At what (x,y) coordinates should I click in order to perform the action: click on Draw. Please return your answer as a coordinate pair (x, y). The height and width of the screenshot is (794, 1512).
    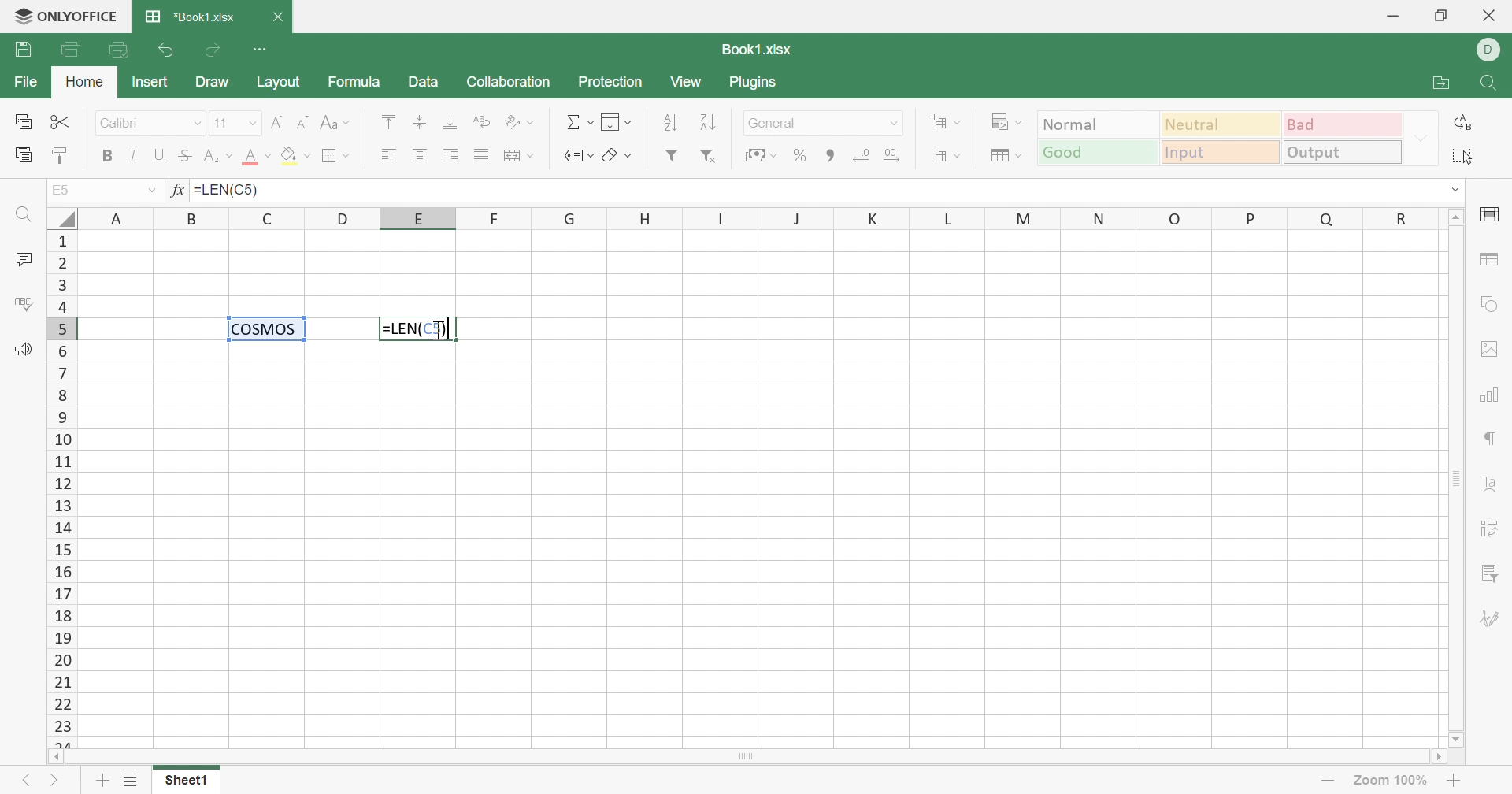
    Looking at the image, I should click on (213, 83).